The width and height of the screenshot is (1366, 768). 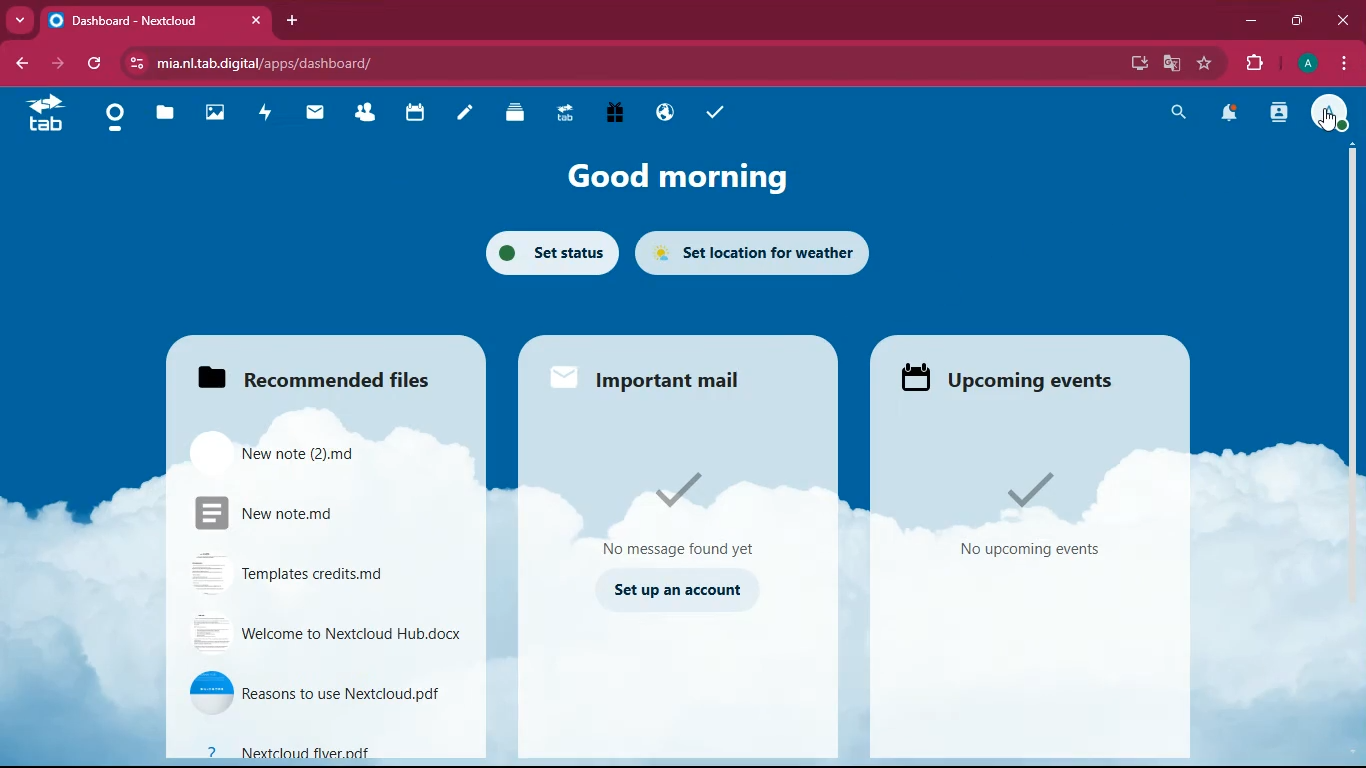 I want to click on file, so click(x=324, y=694).